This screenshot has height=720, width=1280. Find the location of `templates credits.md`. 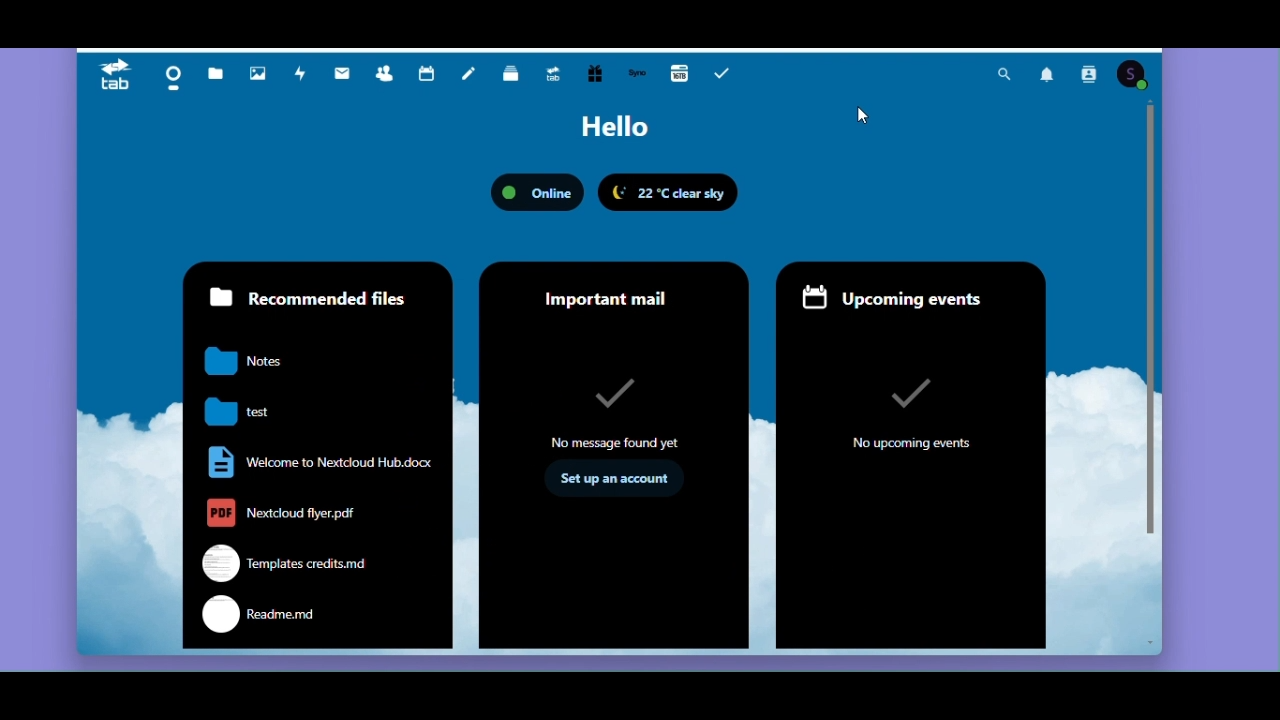

templates credits.md is located at coordinates (289, 562).